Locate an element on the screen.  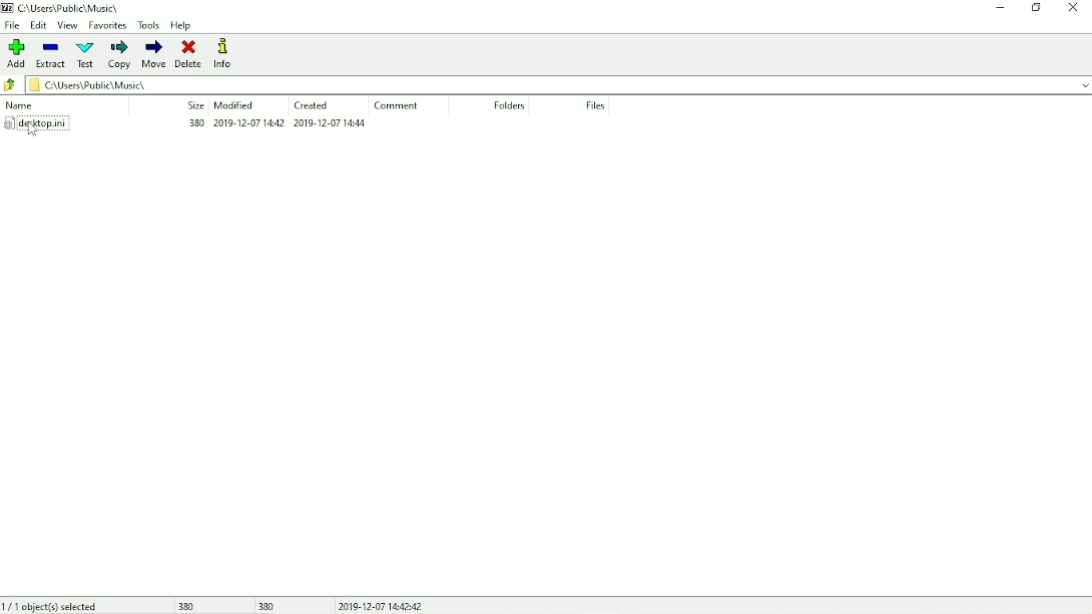
Move is located at coordinates (154, 54).